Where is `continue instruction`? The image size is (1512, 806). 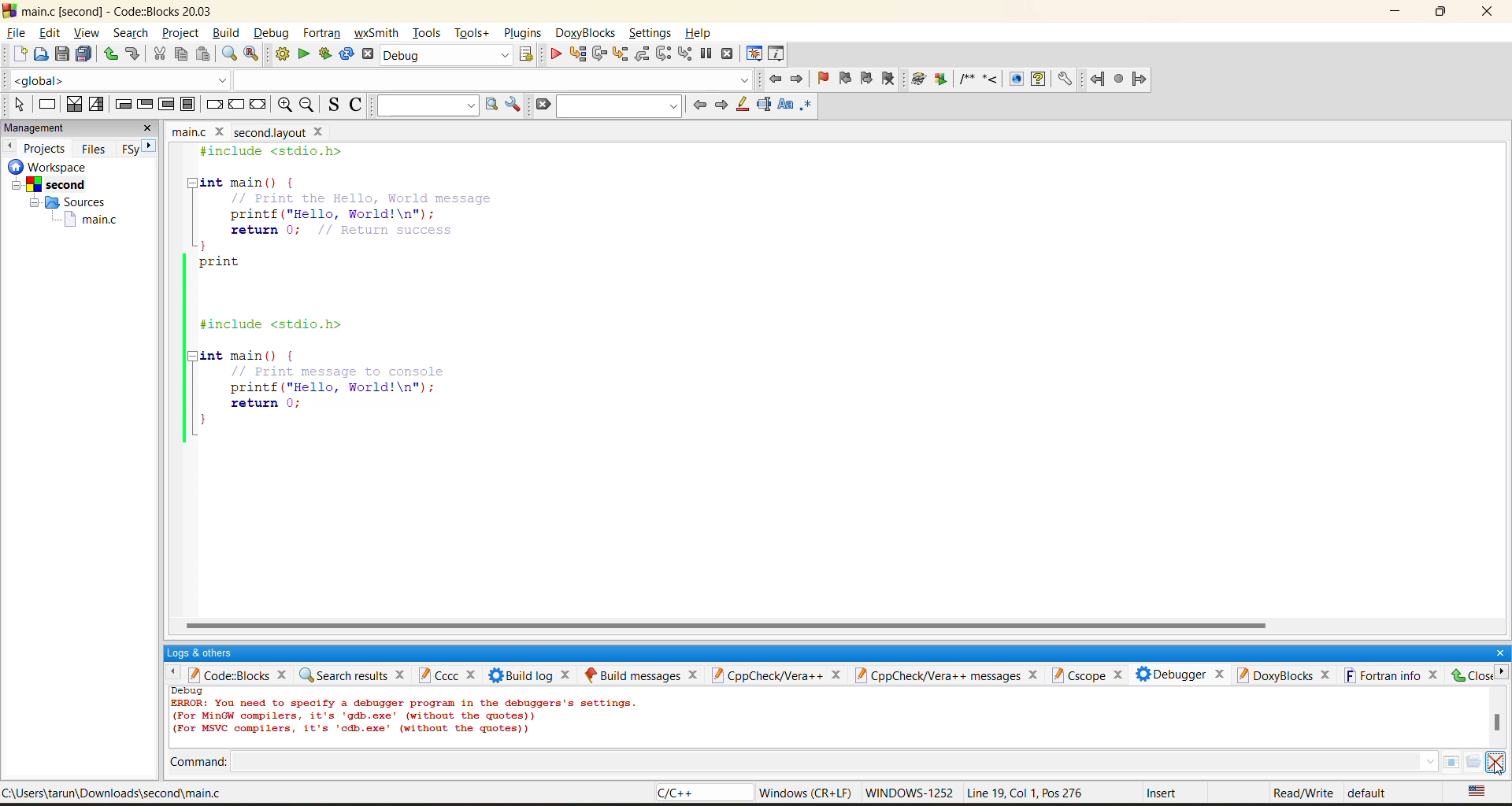 continue instruction is located at coordinates (239, 104).